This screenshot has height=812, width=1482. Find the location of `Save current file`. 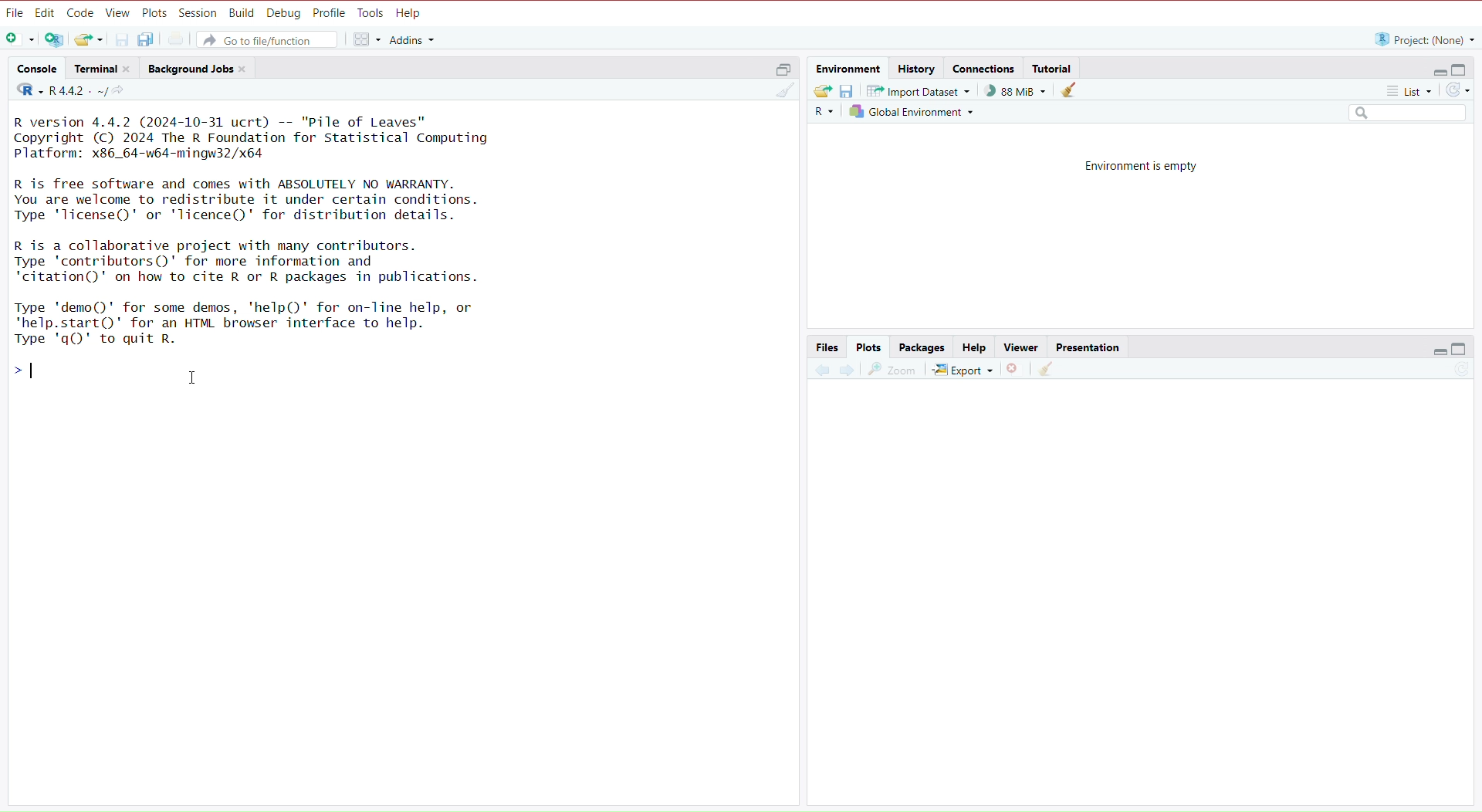

Save current file is located at coordinates (120, 40).